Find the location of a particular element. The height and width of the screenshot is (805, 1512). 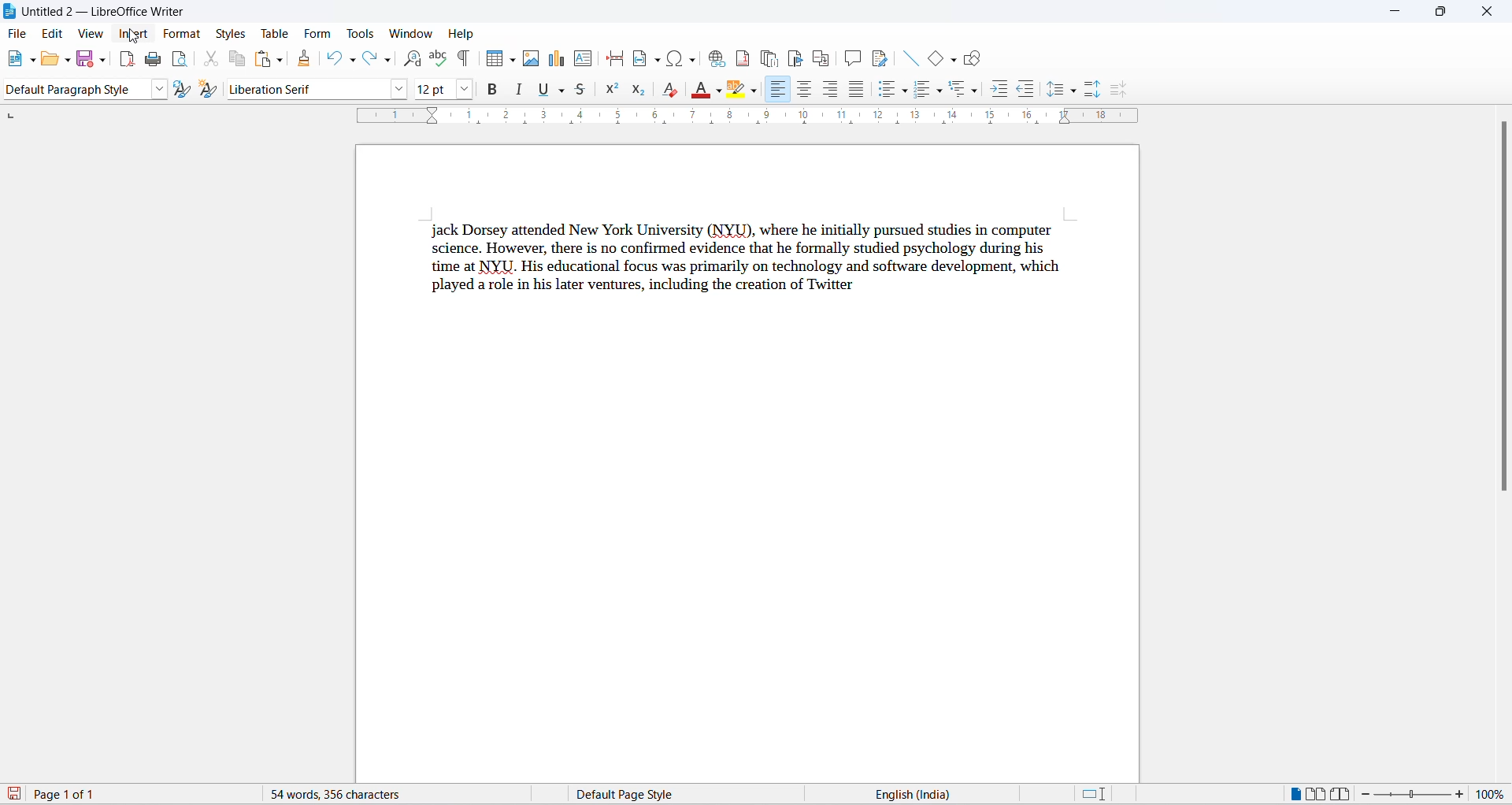

new file options is located at coordinates (32, 61).